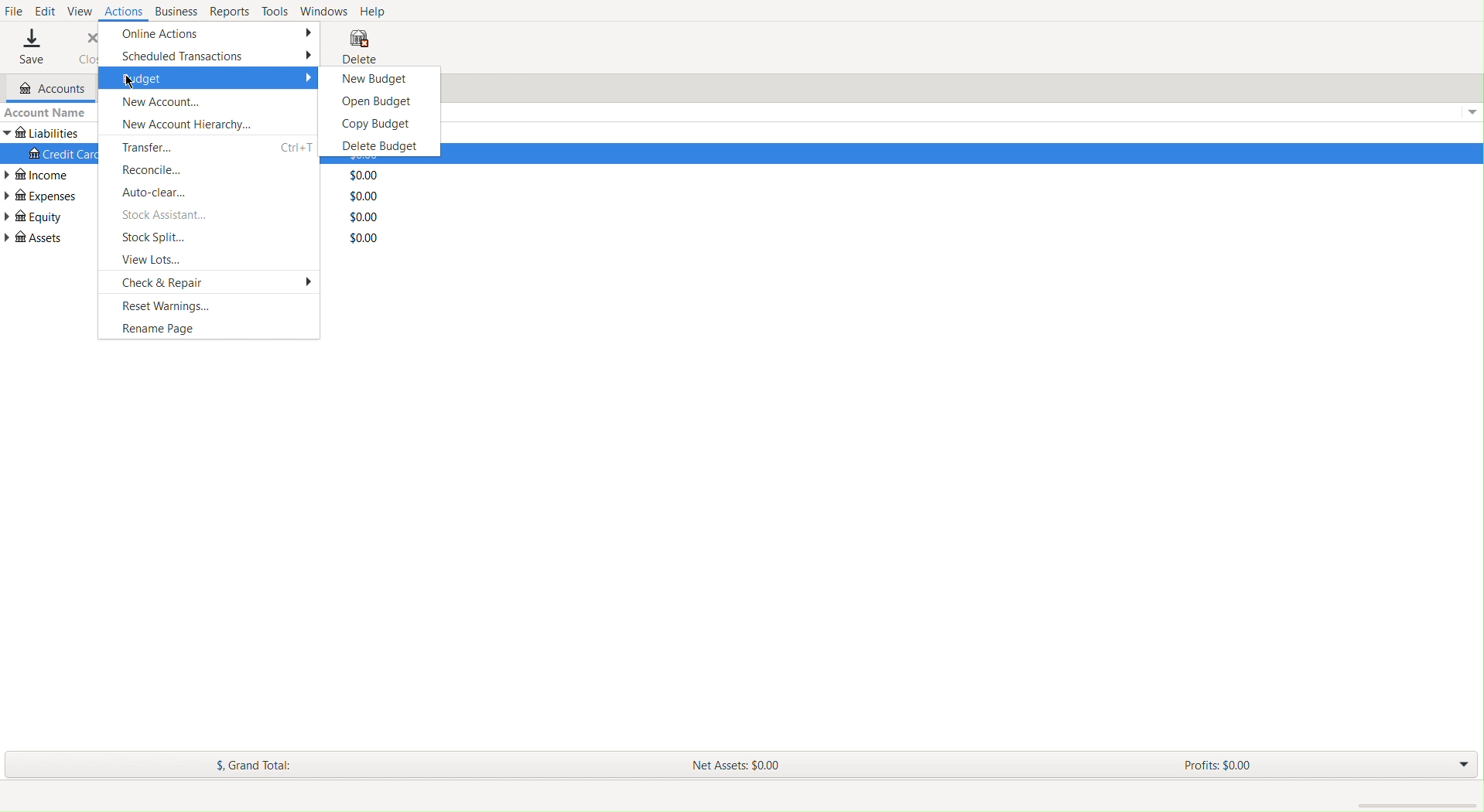 The height and width of the screenshot is (812, 1484). Describe the element at coordinates (45, 175) in the screenshot. I see `Income` at that location.